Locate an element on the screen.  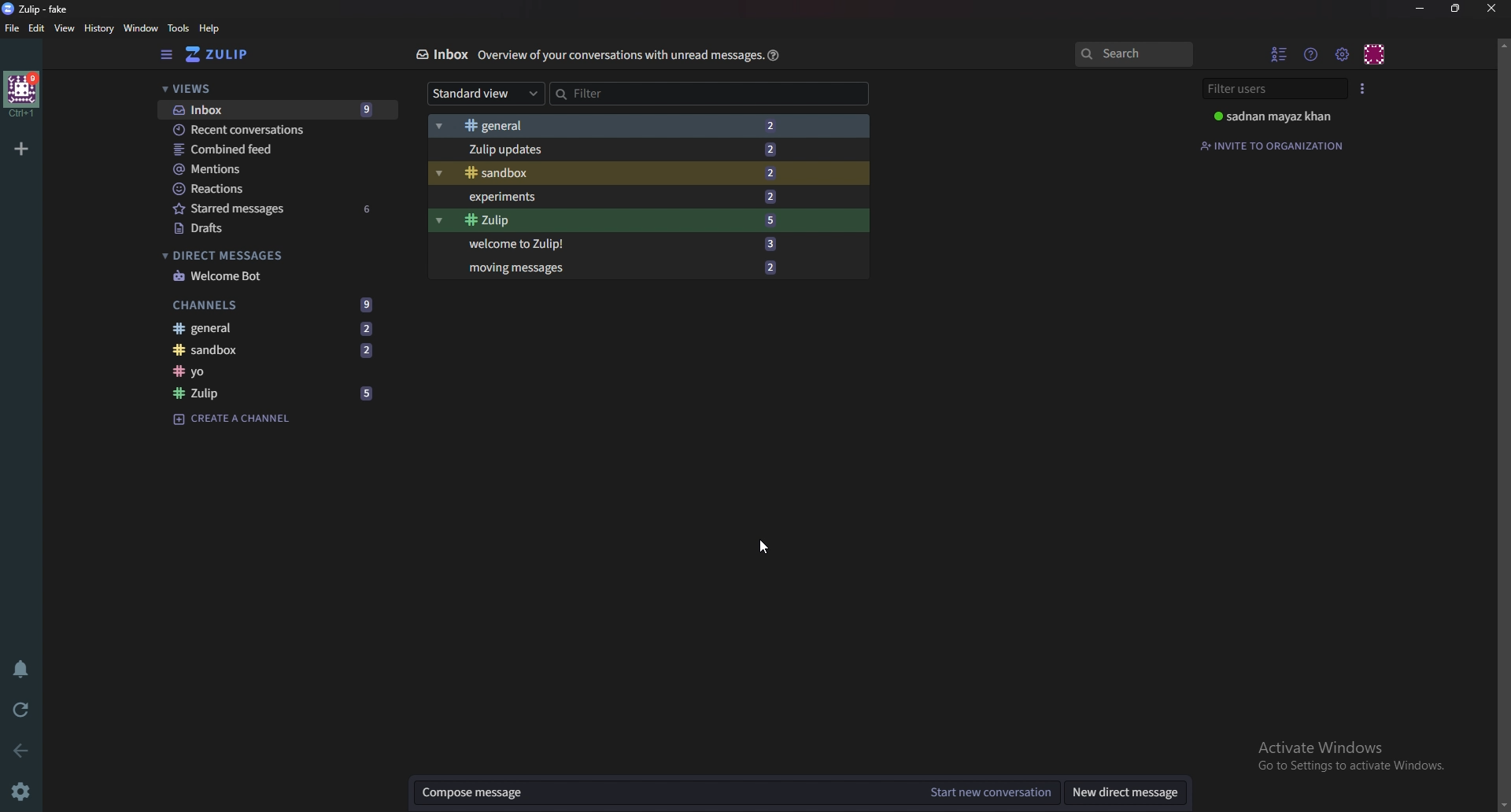
Scroll bar is located at coordinates (1503, 424).